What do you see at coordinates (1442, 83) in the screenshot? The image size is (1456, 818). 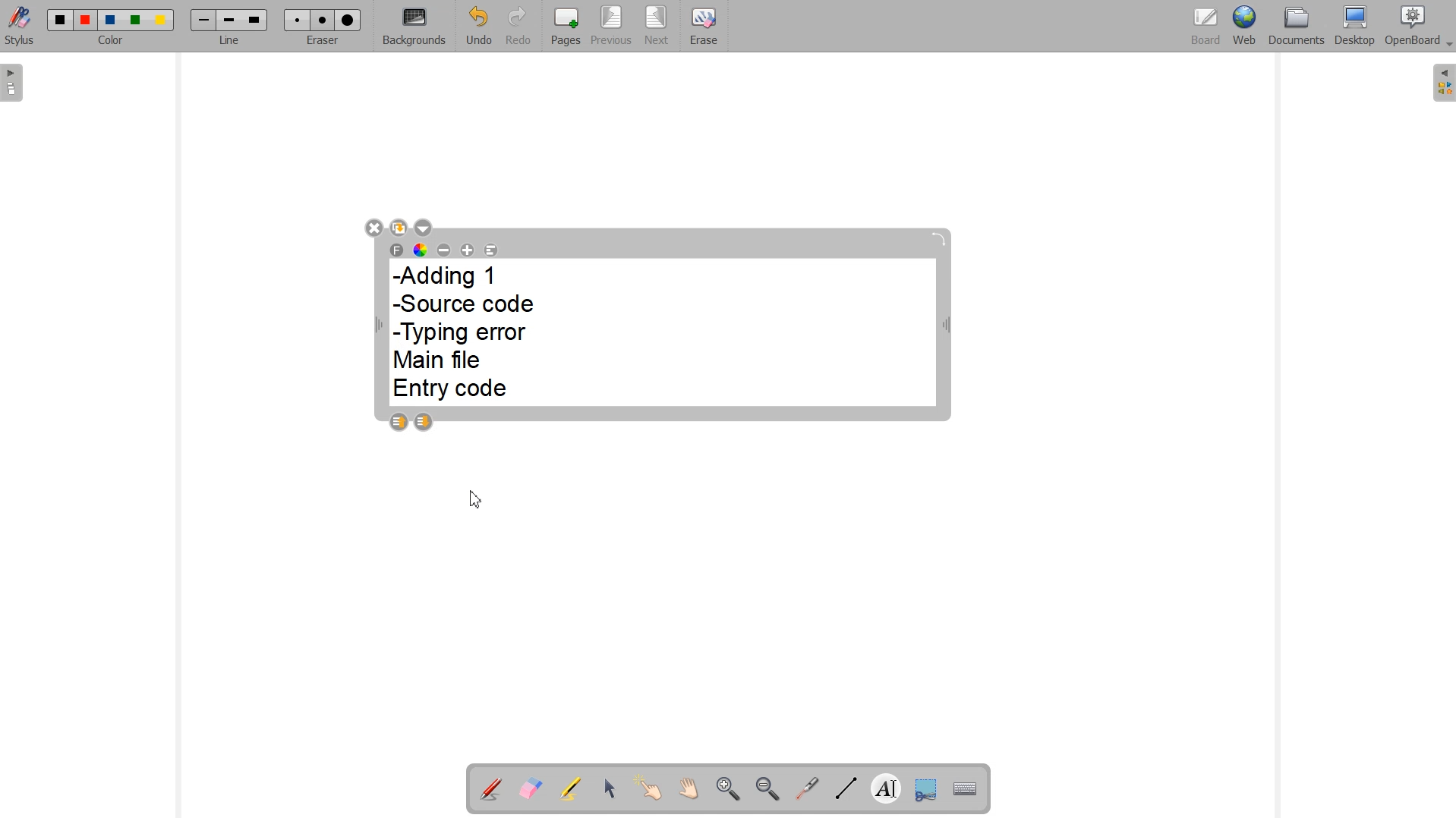 I see `The library (right panel)` at bounding box center [1442, 83].